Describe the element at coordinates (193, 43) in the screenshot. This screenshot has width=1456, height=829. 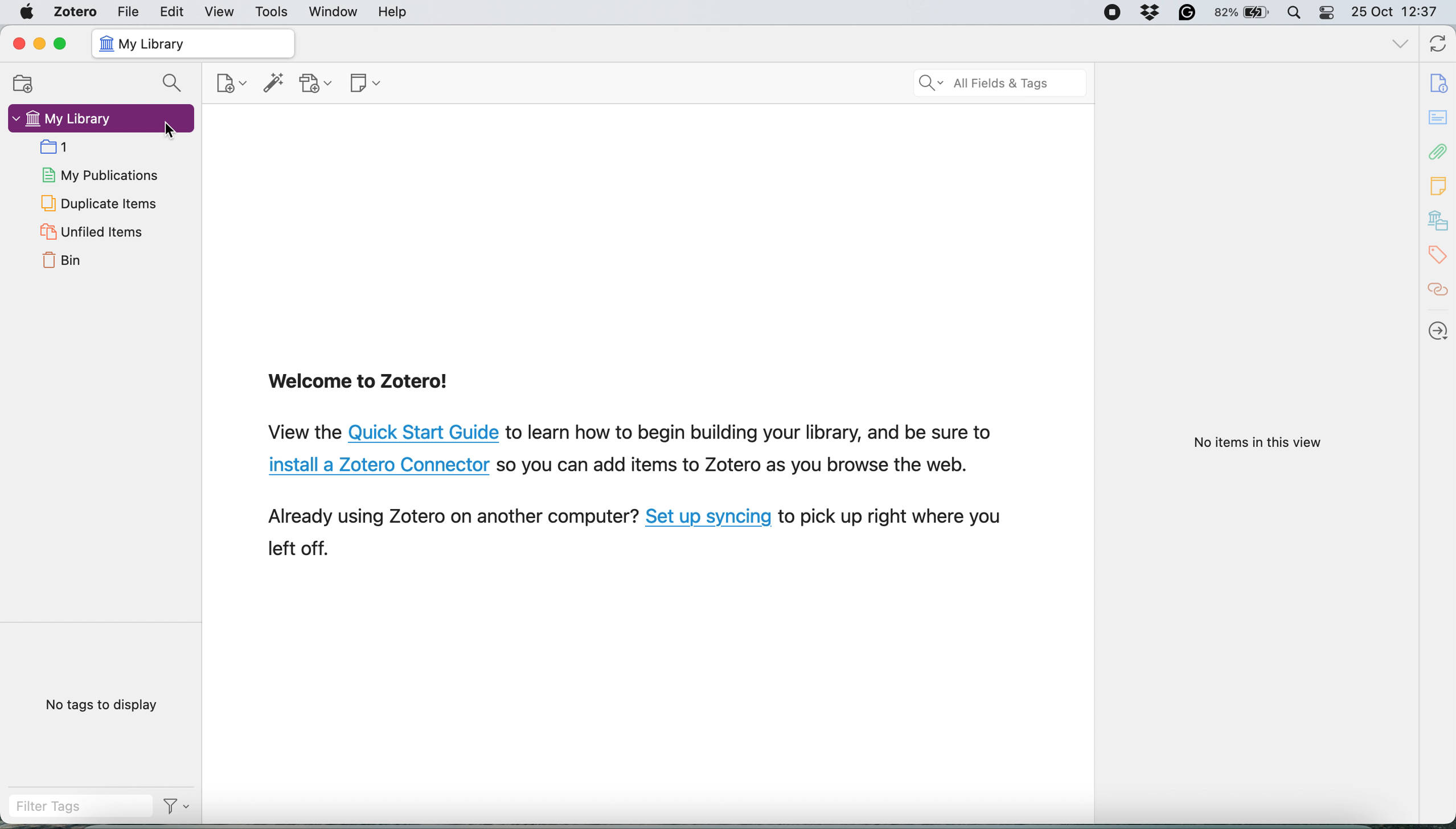
I see `my library` at that location.